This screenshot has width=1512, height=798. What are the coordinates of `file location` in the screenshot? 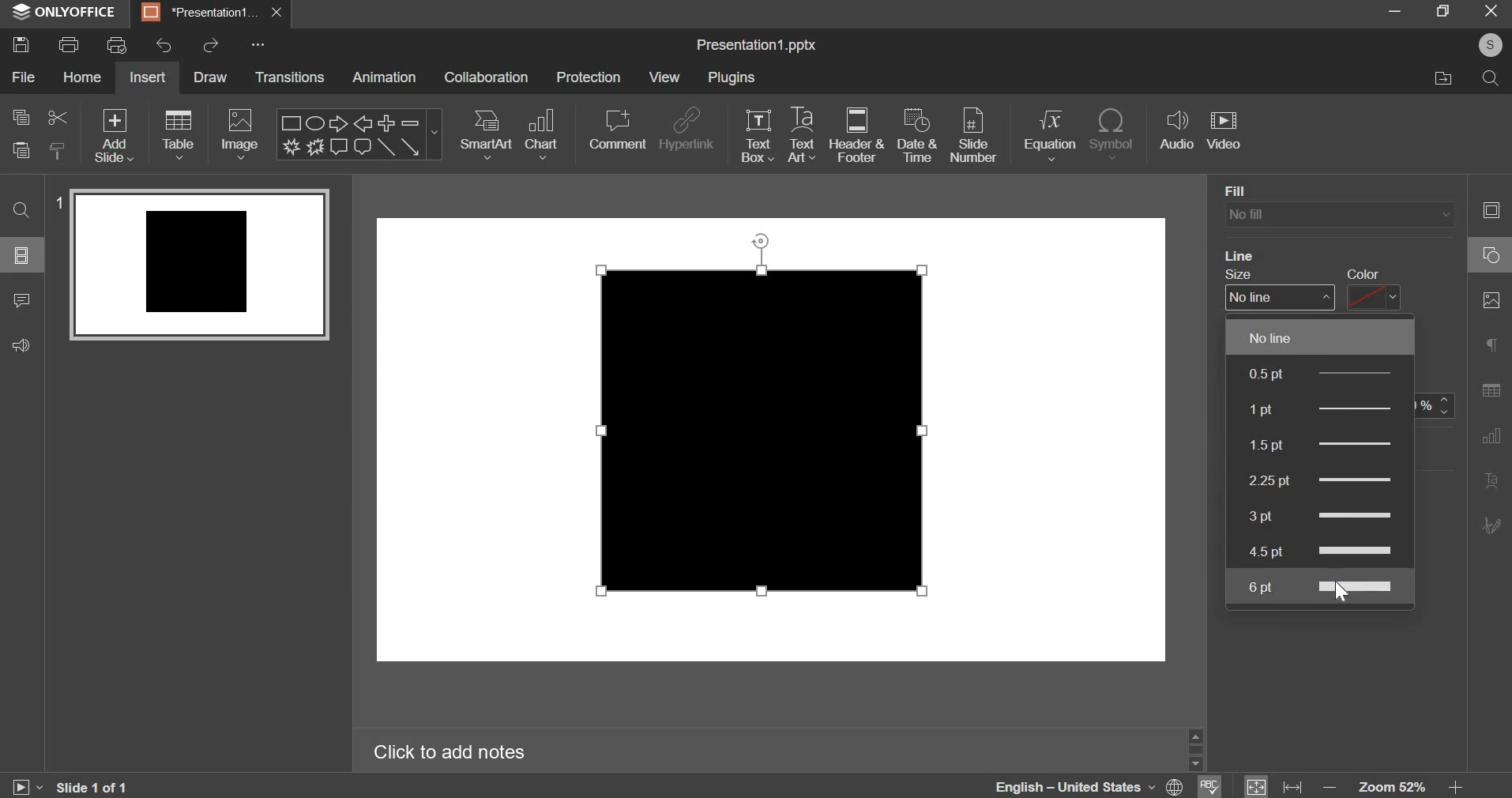 It's located at (1444, 77).